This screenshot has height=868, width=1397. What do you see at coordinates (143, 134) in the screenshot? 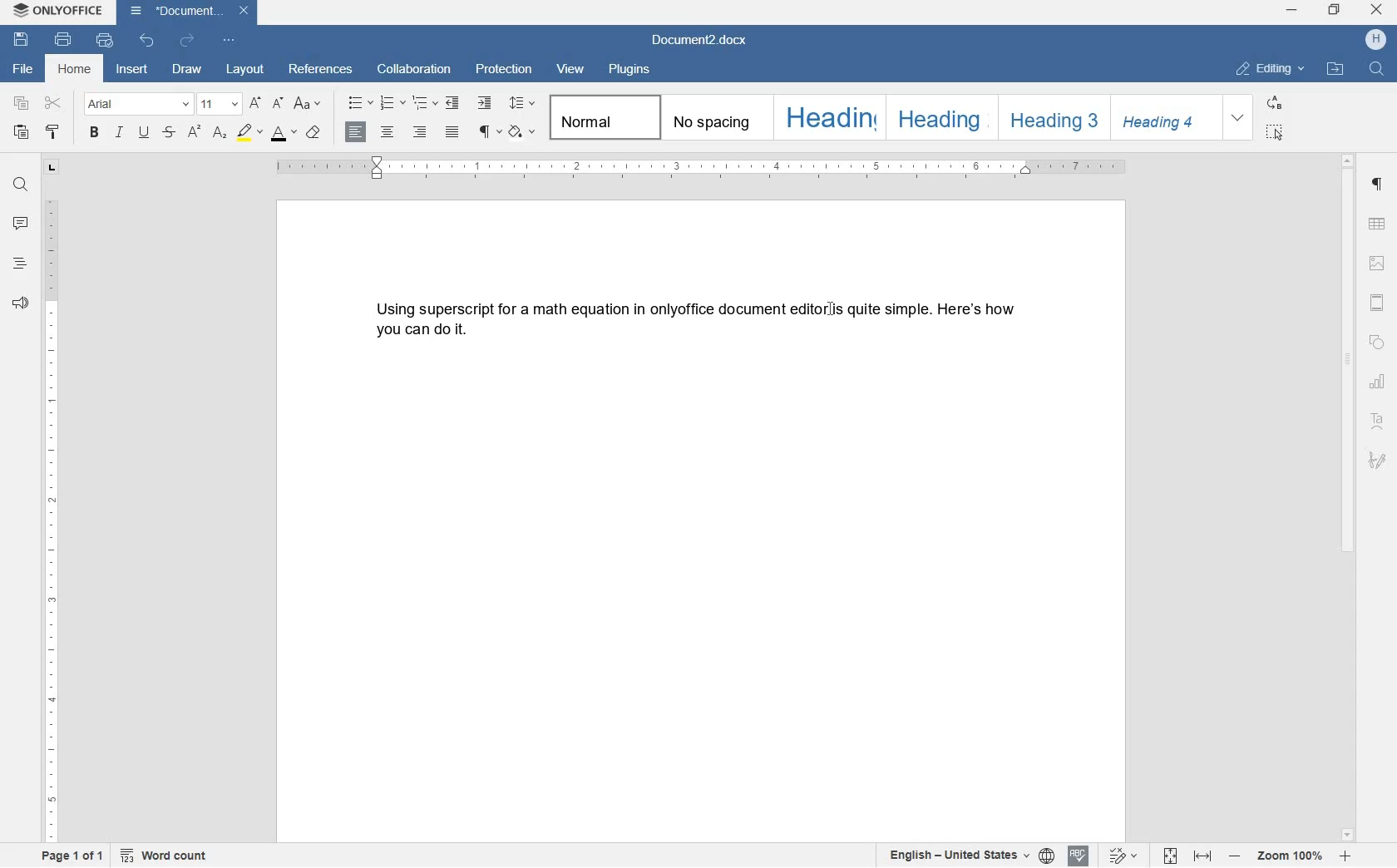
I see `underline` at bounding box center [143, 134].